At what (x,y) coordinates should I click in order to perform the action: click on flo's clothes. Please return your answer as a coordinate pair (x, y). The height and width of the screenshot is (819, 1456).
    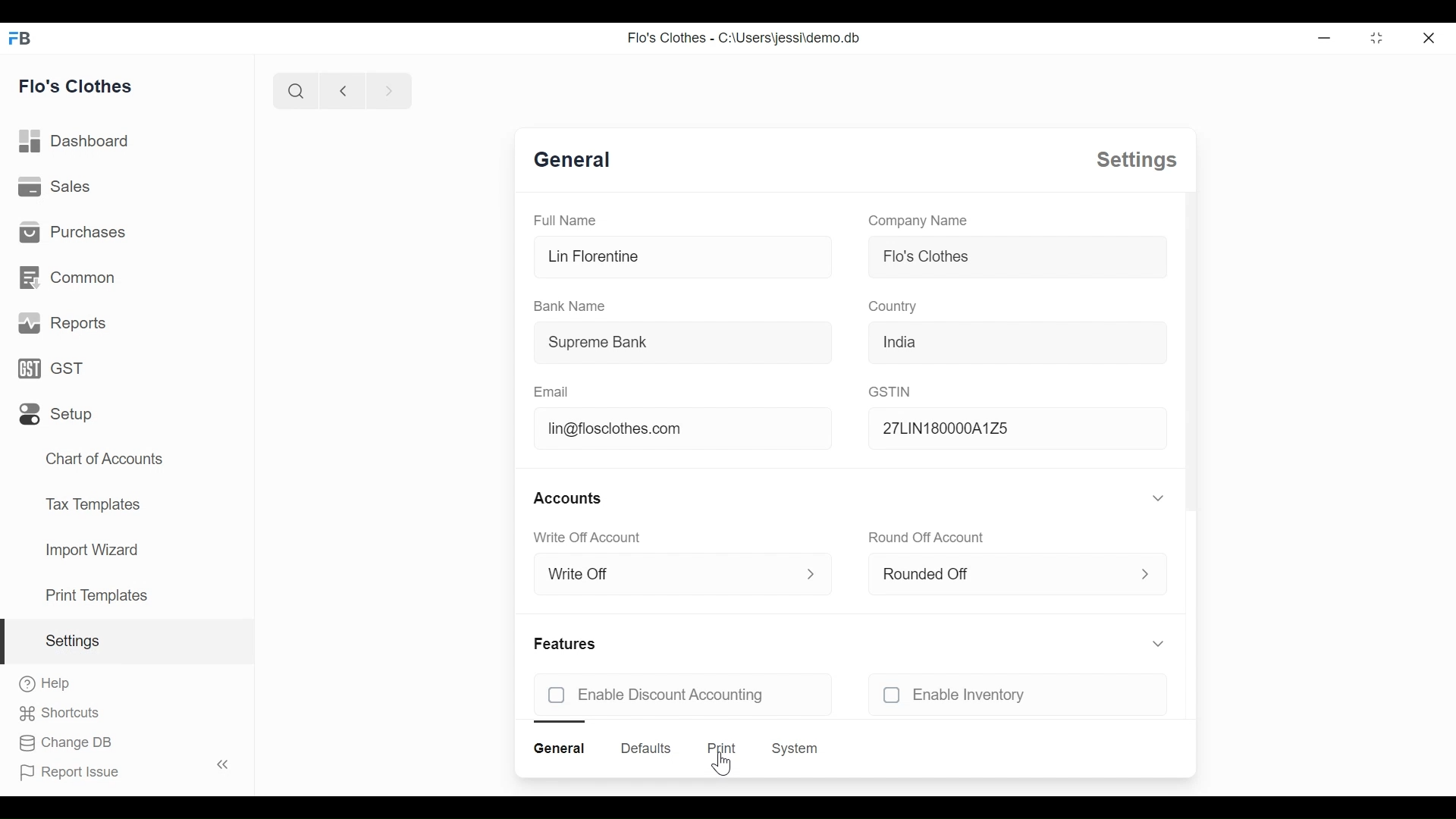
    Looking at the image, I should click on (76, 86).